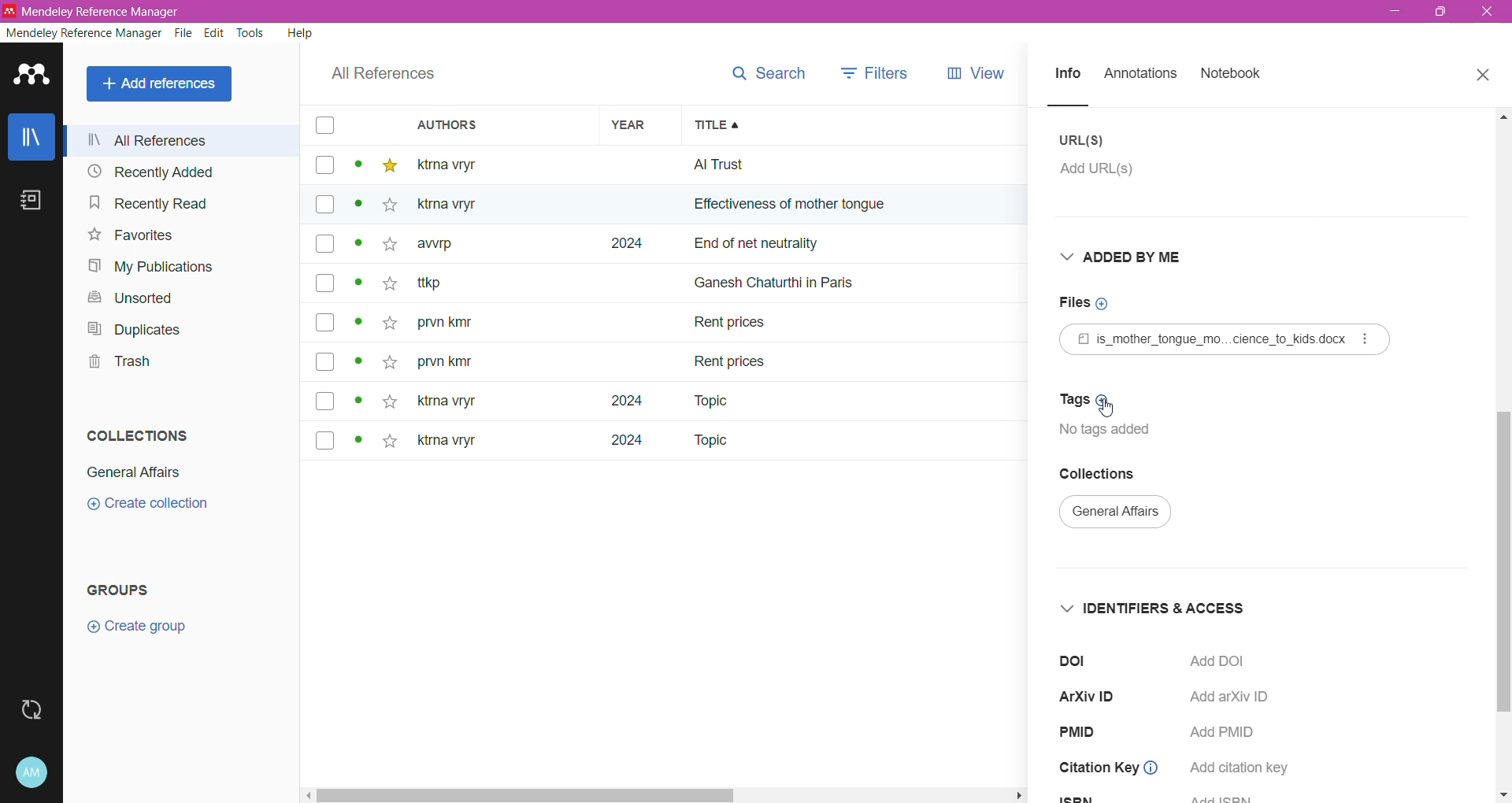 The width and height of the screenshot is (1512, 803). Describe the element at coordinates (31, 136) in the screenshot. I see `Library` at that location.